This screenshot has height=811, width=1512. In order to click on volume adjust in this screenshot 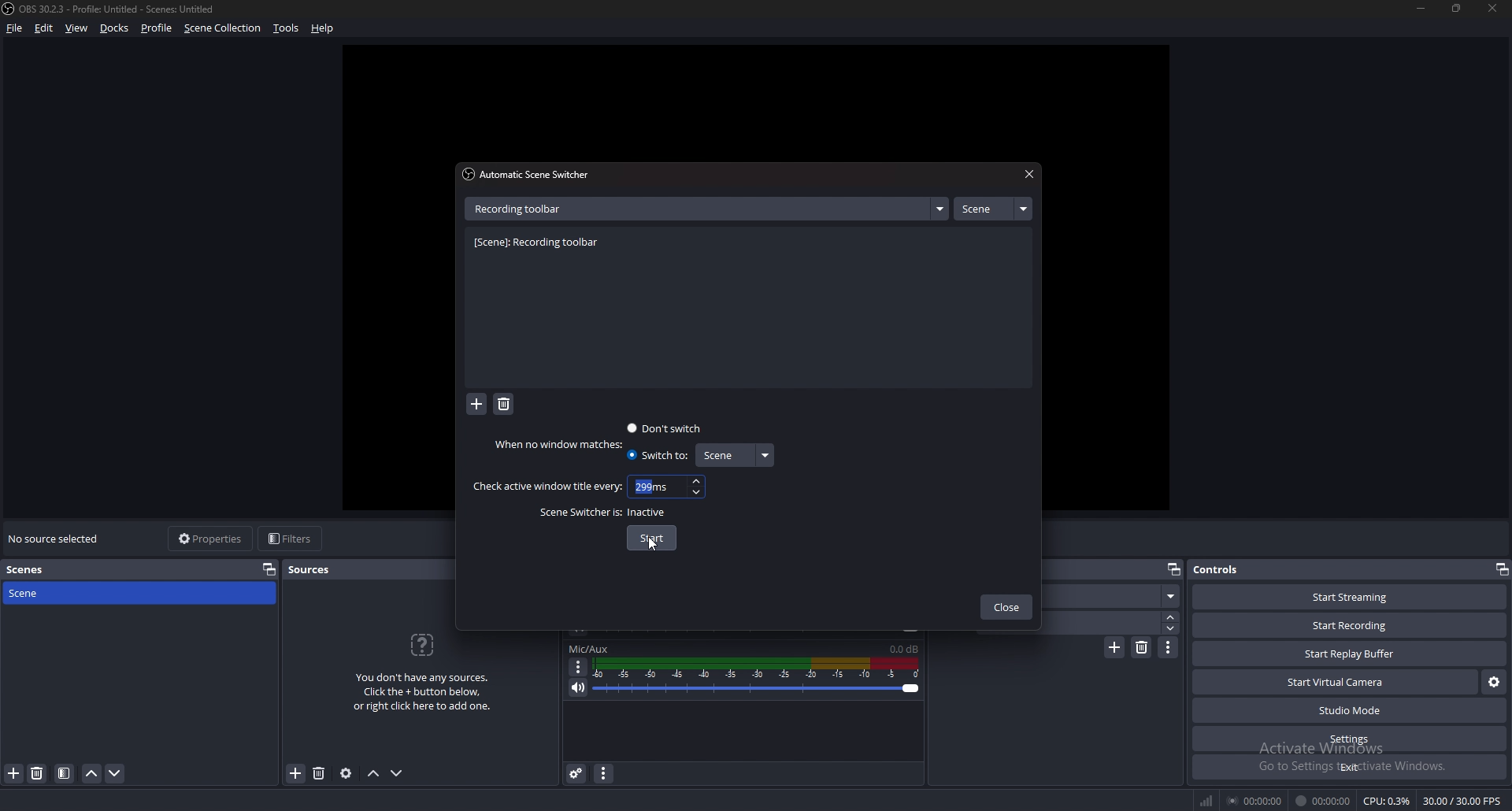, I will do `click(756, 678)`.